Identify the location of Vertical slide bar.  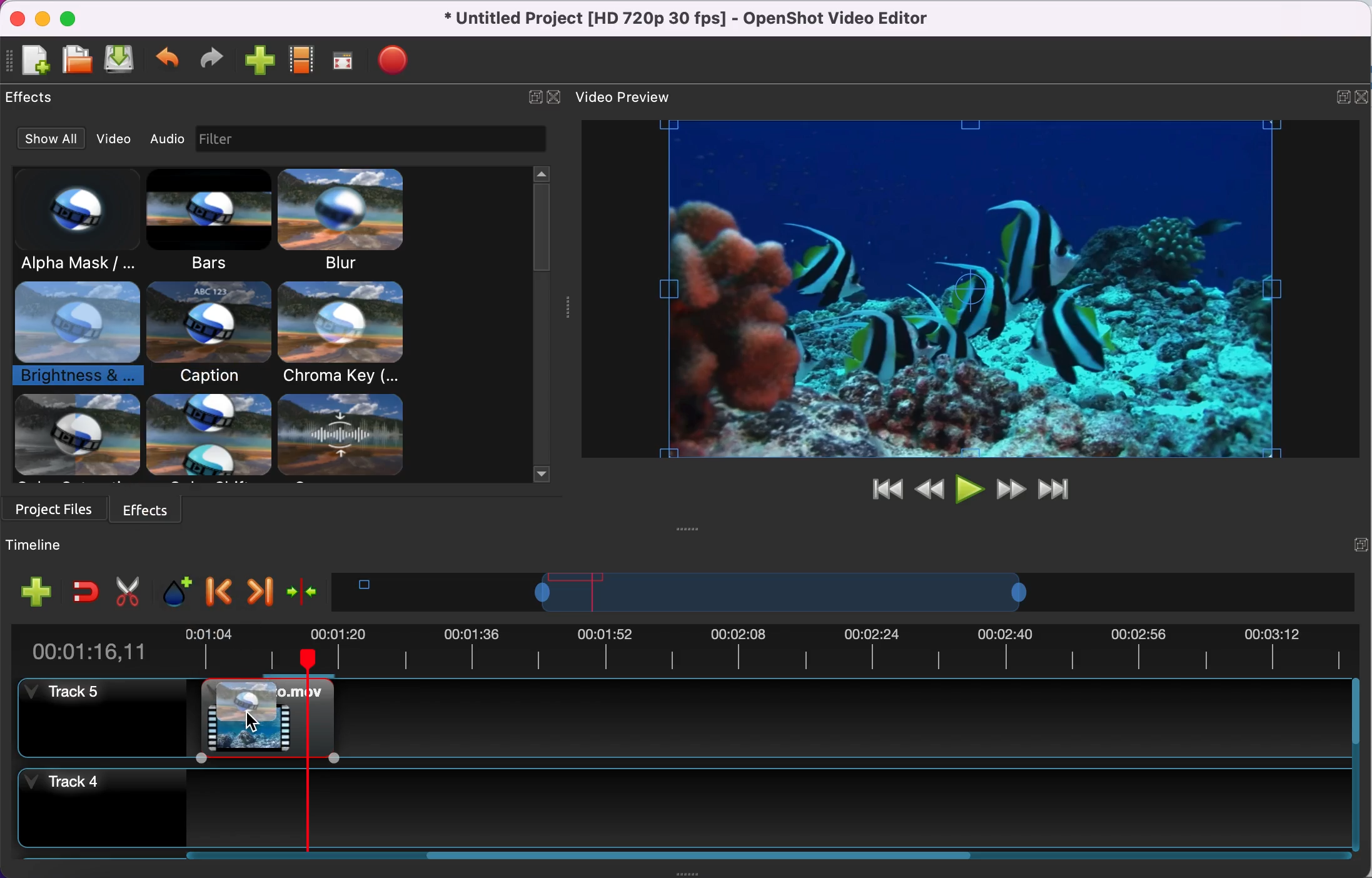
(1356, 766).